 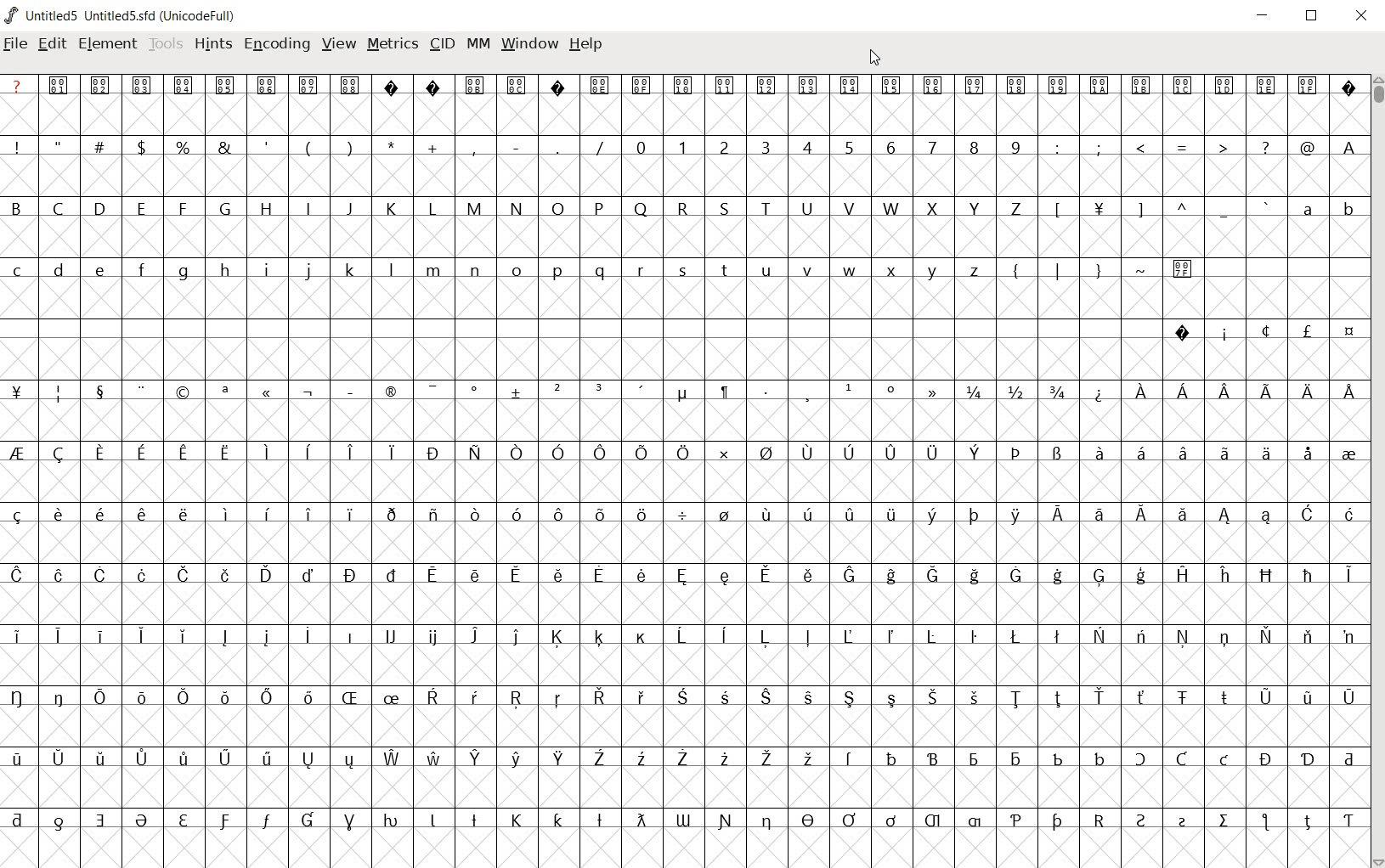 What do you see at coordinates (474, 149) in the screenshot?
I see `,` at bounding box center [474, 149].